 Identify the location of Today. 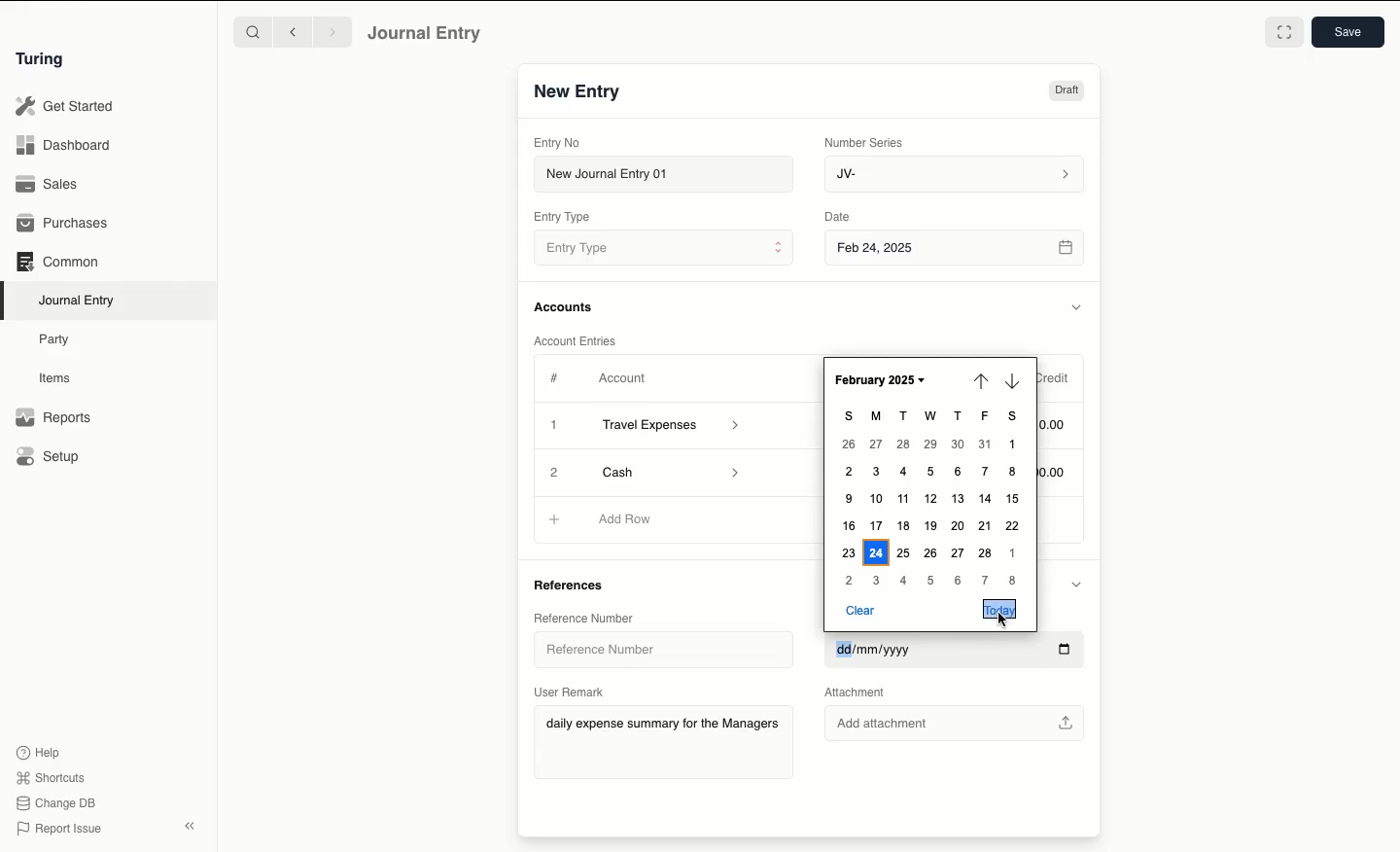
(998, 609).